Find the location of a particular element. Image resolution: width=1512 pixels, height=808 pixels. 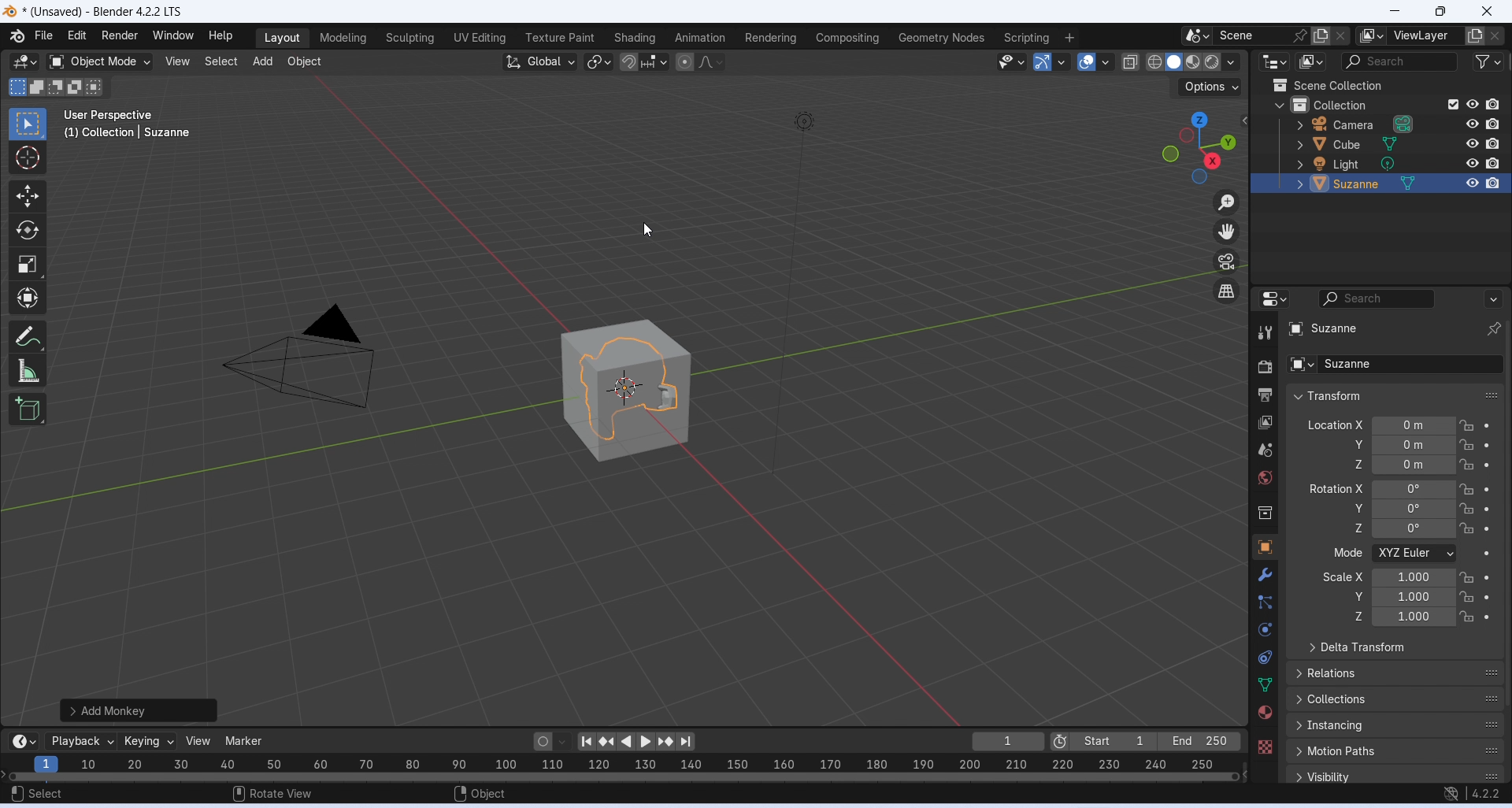

Transform is located at coordinates (27, 297).